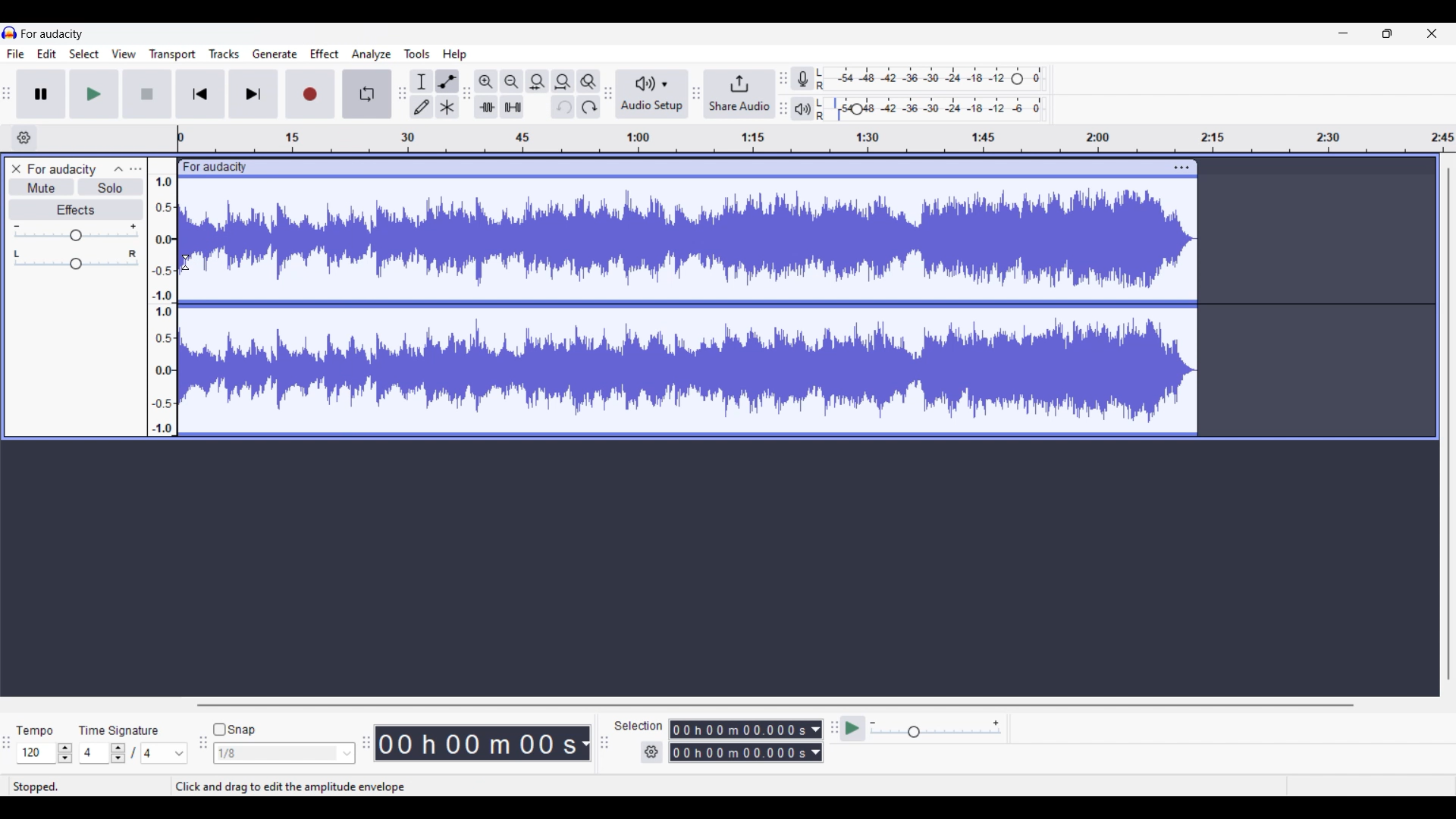 The width and height of the screenshot is (1456, 819). What do you see at coordinates (76, 209) in the screenshot?
I see `Effects` at bounding box center [76, 209].